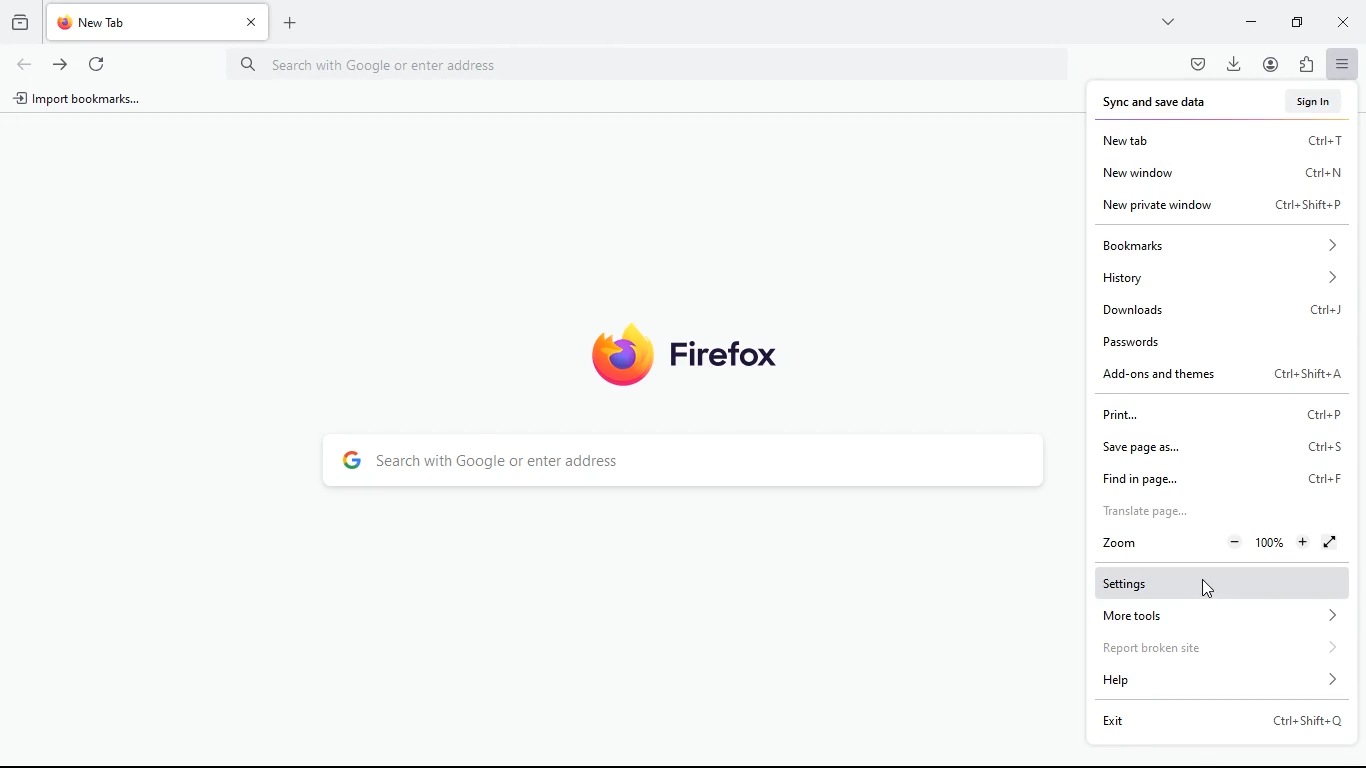 Image resolution: width=1366 pixels, height=768 pixels. I want to click on Cursor, so click(1208, 588).